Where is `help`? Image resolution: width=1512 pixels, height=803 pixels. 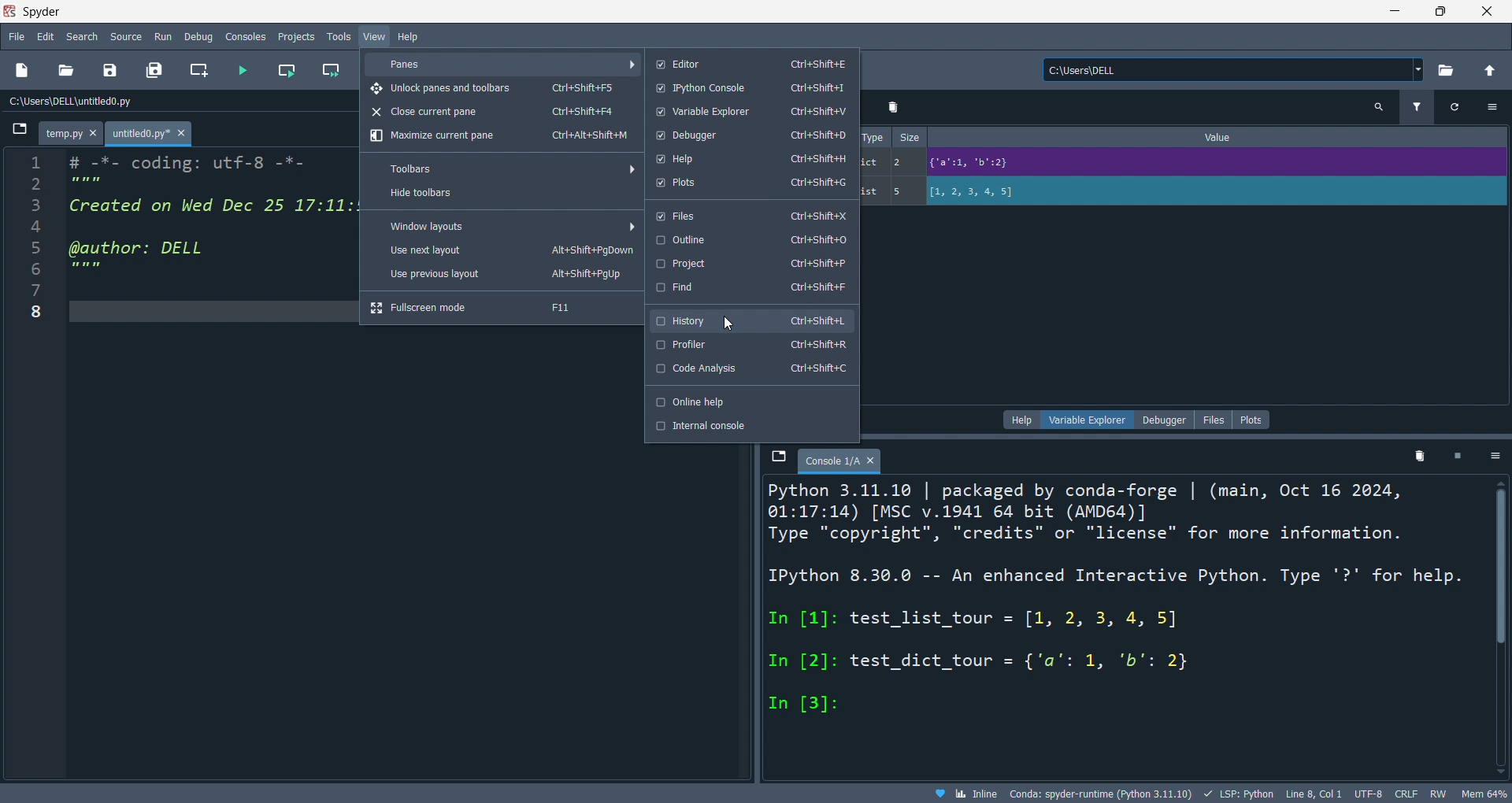 help is located at coordinates (409, 36).